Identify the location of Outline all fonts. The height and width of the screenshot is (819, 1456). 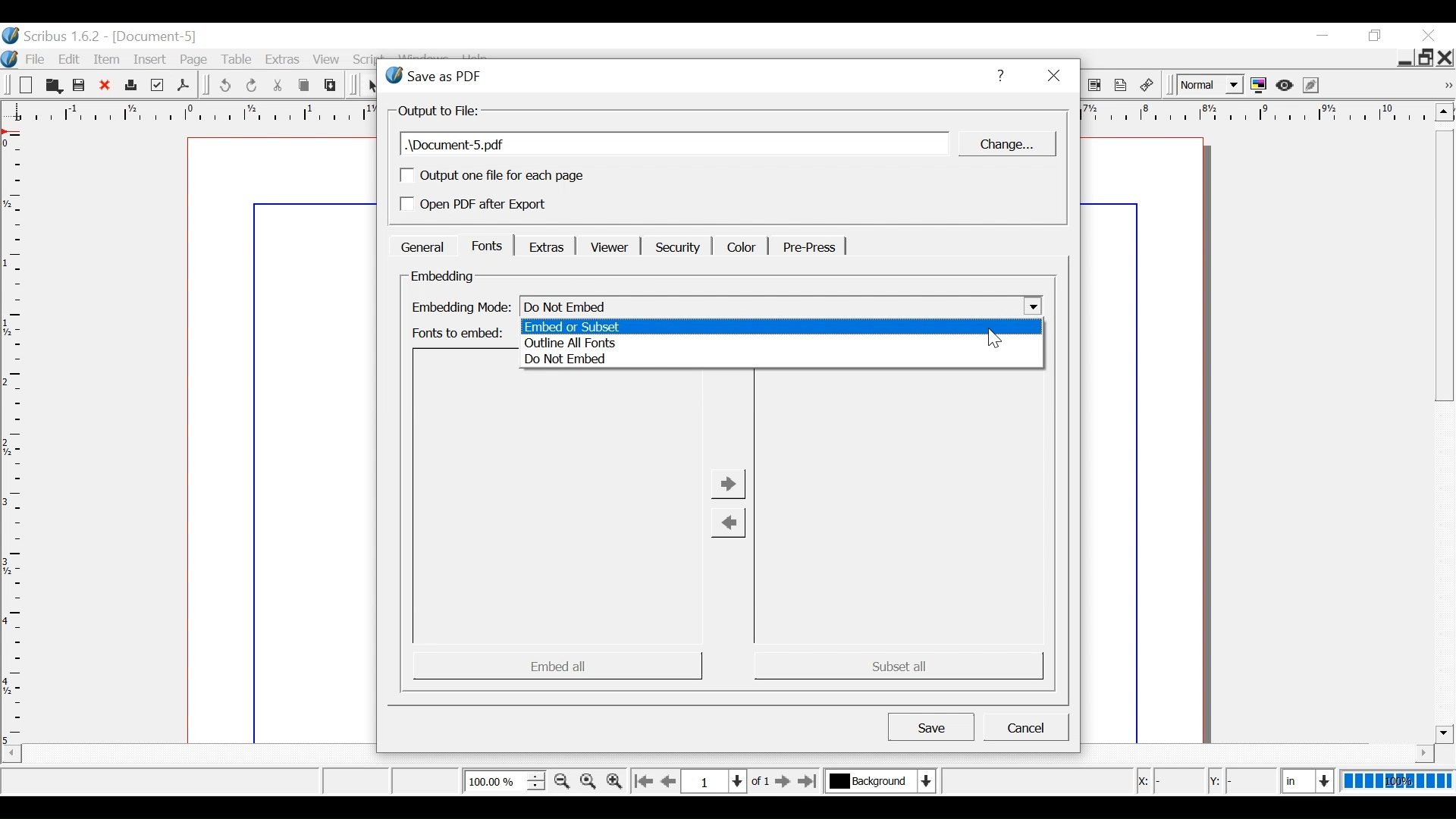
(783, 343).